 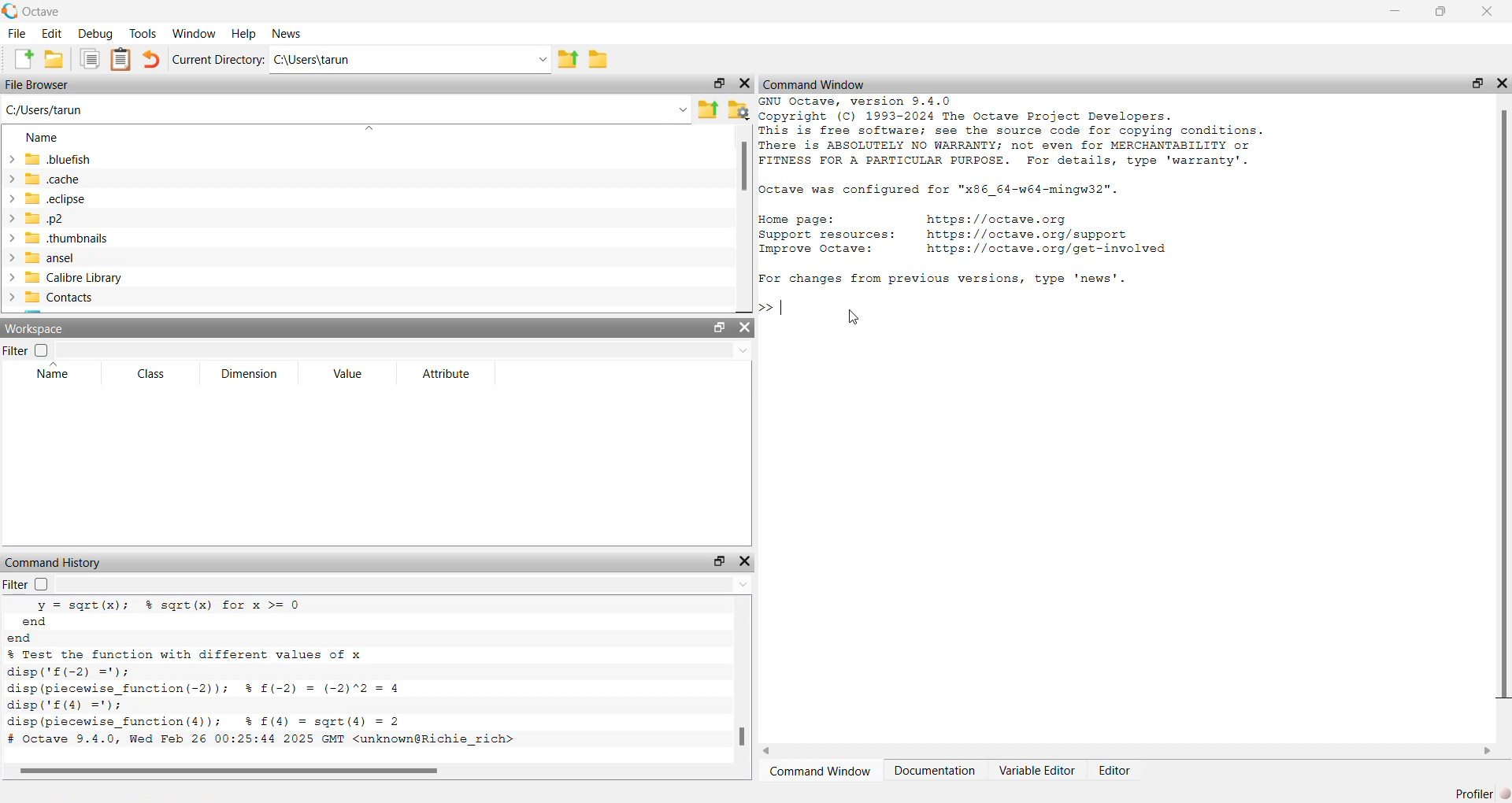 What do you see at coordinates (598, 59) in the screenshot?
I see `Browse directories` at bounding box center [598, 59].